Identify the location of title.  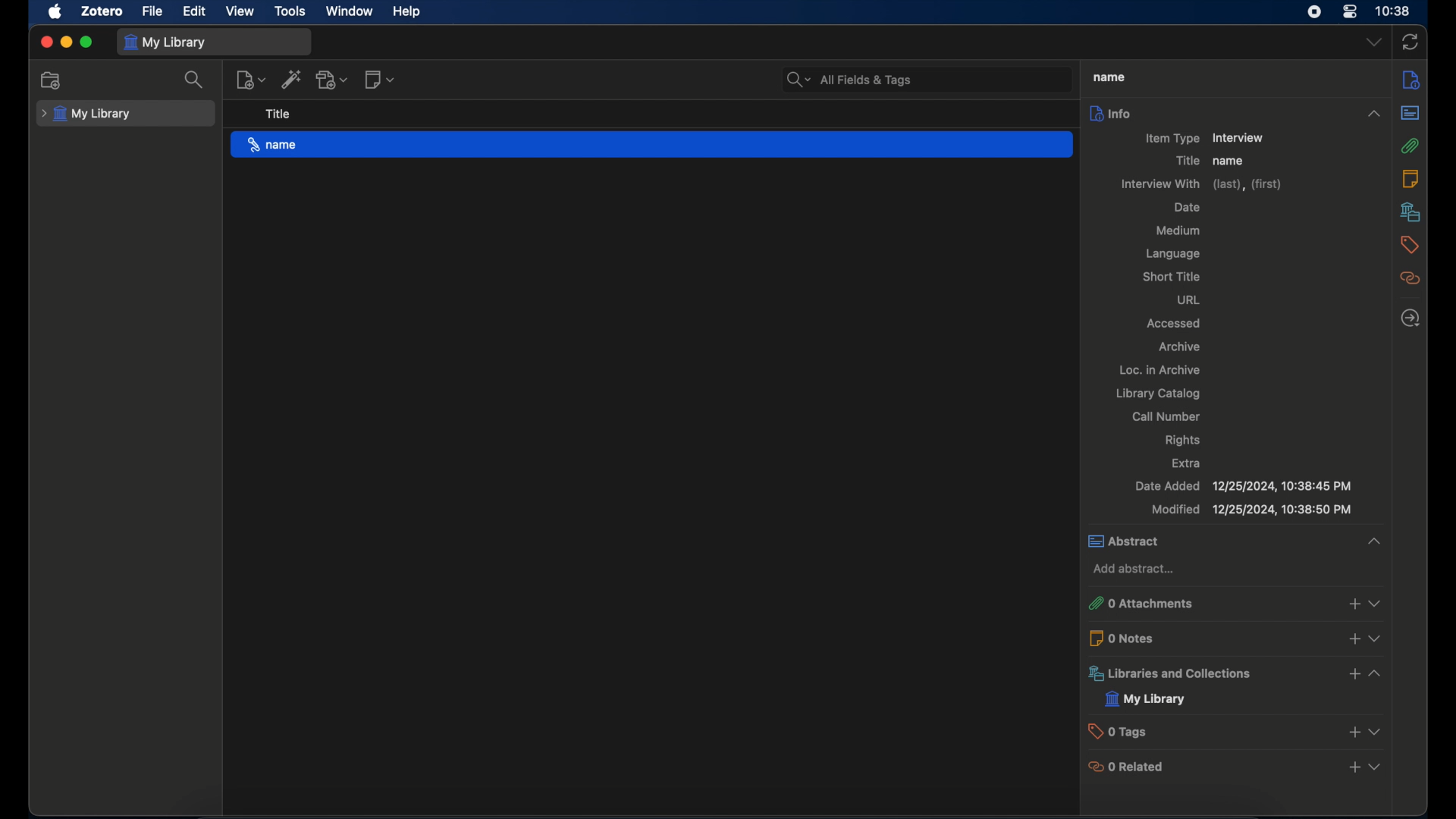
(1188, 161).